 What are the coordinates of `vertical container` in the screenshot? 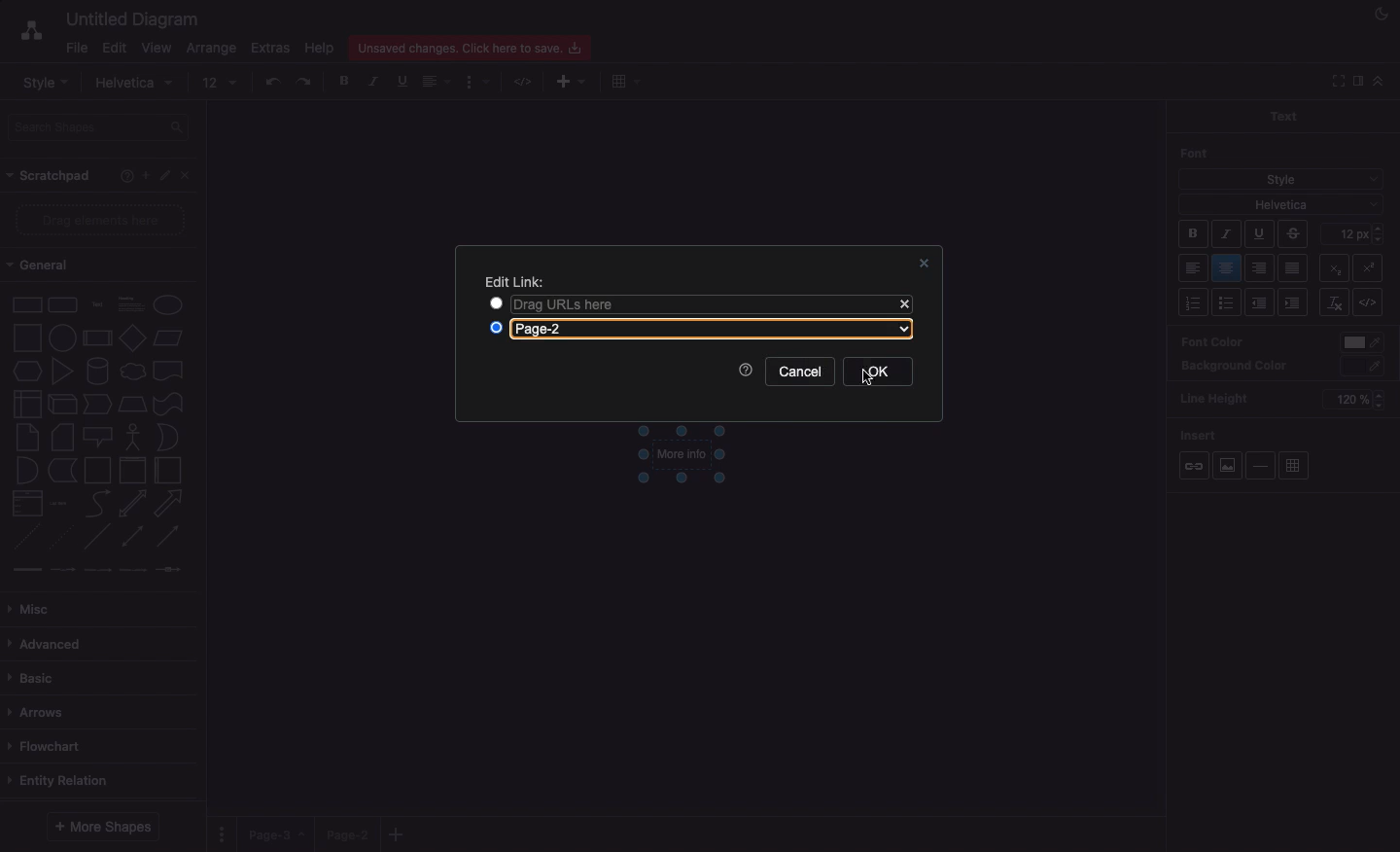 It's located at (132, 471).